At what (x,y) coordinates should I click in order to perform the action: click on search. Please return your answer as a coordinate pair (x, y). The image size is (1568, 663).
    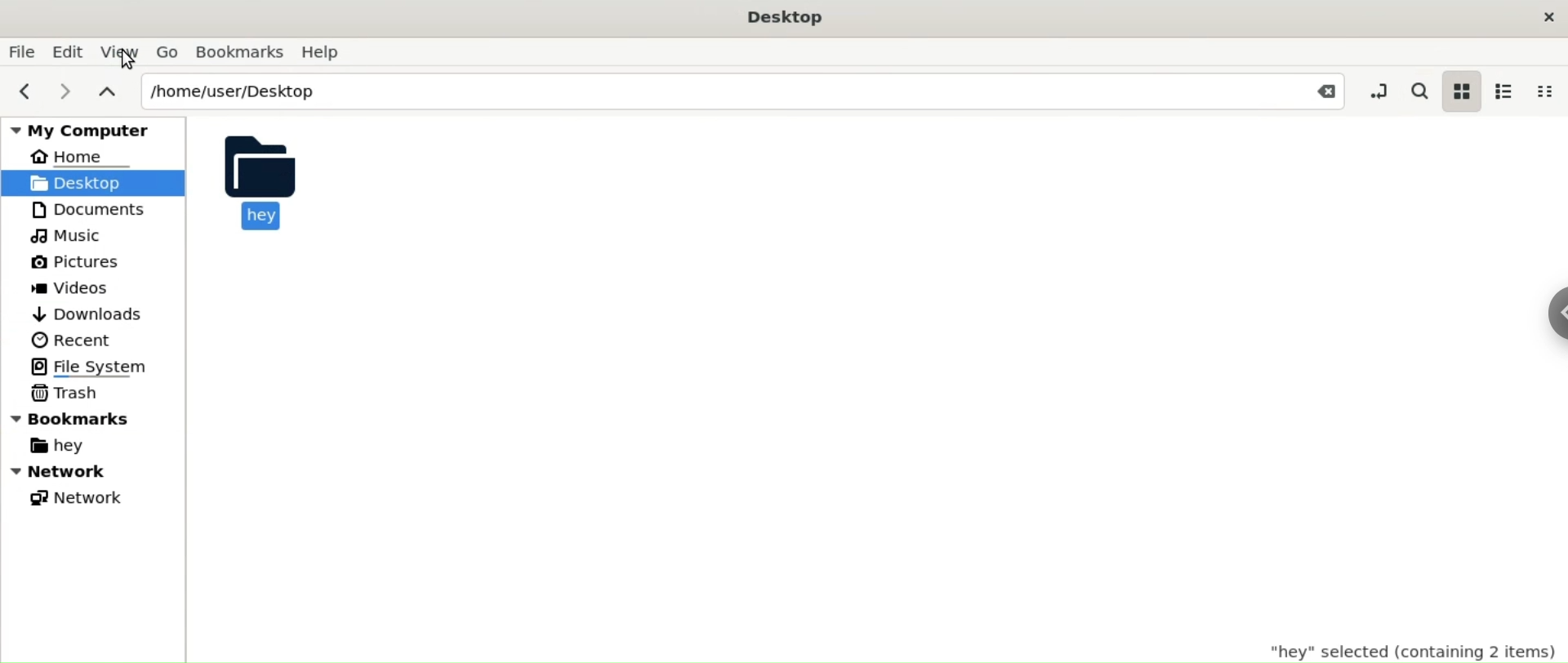
    Looking at the image, I should click on (1419, 90).